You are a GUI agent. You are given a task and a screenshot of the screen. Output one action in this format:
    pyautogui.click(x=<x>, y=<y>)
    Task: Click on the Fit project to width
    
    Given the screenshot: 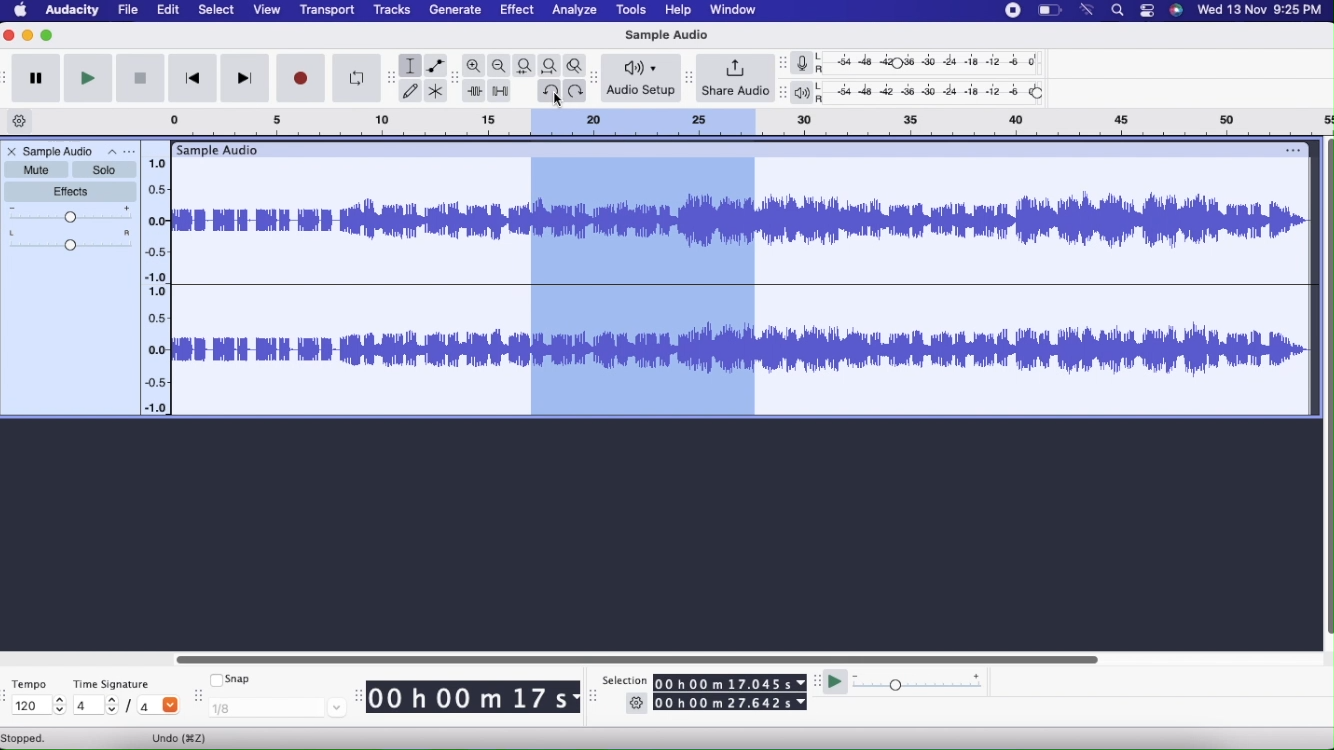 What is the action you would take?
    pyautogui.click(x=550, y=66)
    